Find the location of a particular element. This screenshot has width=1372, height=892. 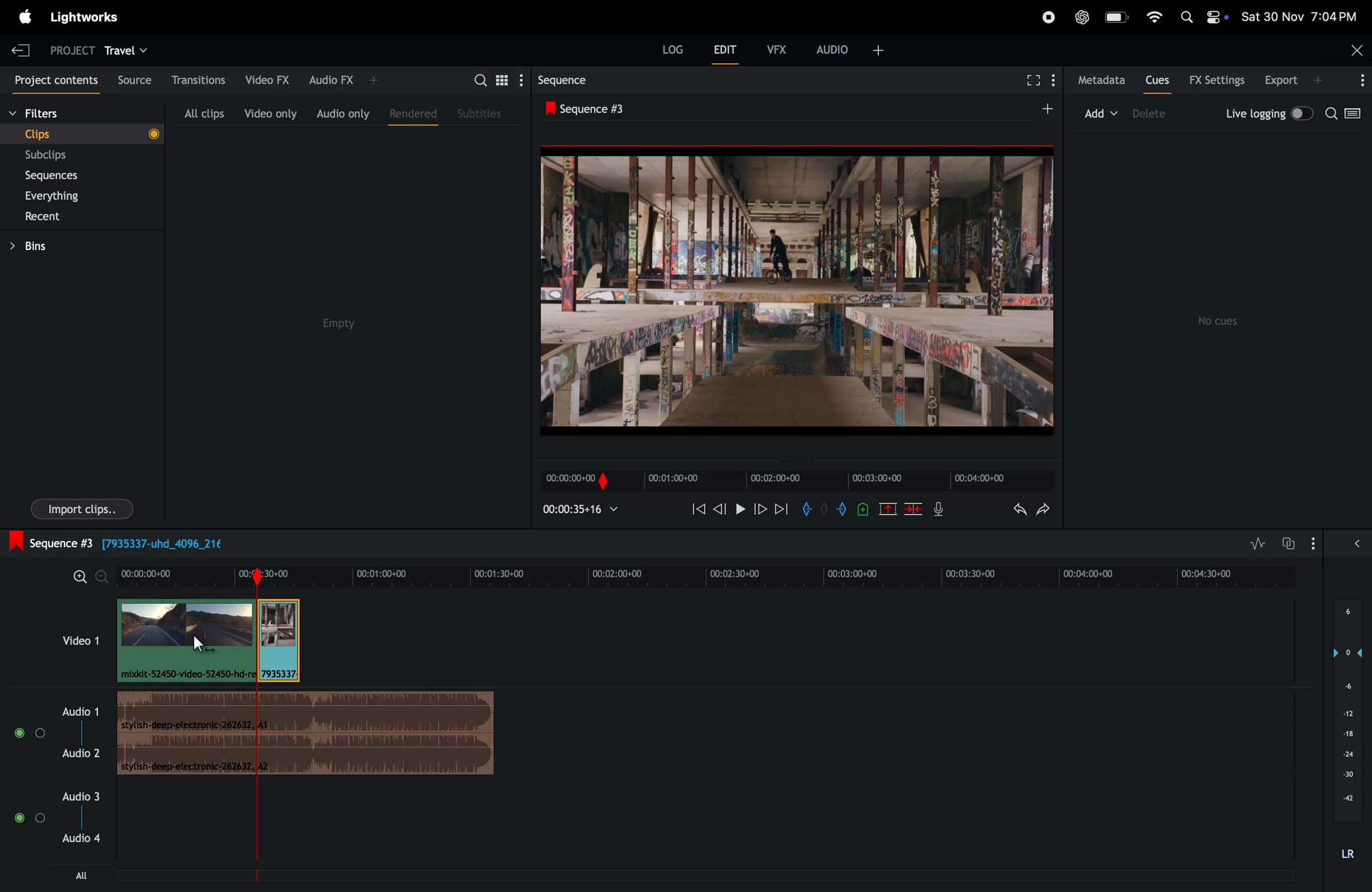

LR is located at coordinates (1350, 855).